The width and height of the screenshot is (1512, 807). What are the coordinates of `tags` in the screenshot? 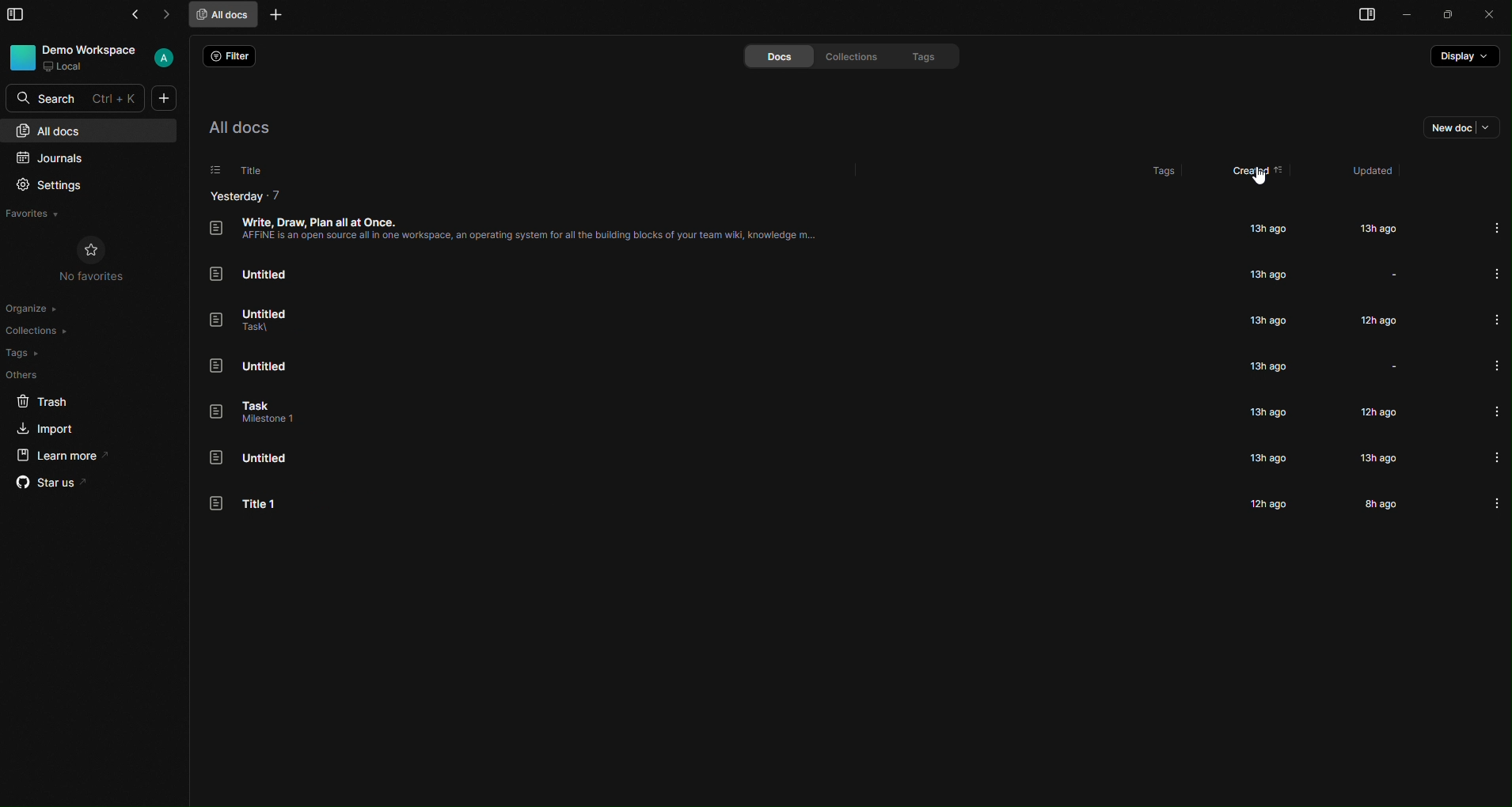 It's located at (929, 57).